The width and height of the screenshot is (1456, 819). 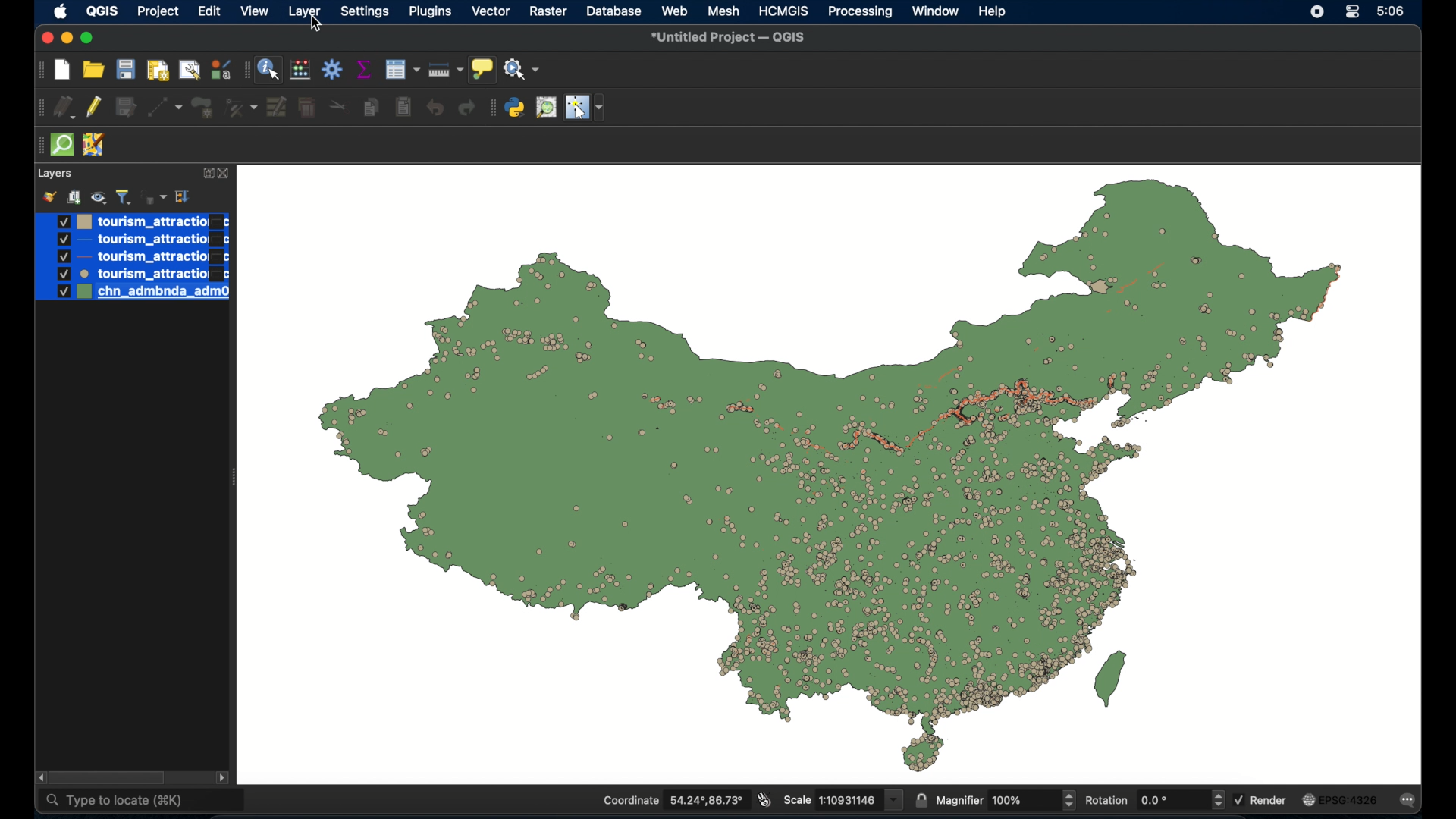 What do you see at coordinates (588, 108) in the screenshot?
I see `switches mouse to a configurable pointer` at bounding box center [588, 108].